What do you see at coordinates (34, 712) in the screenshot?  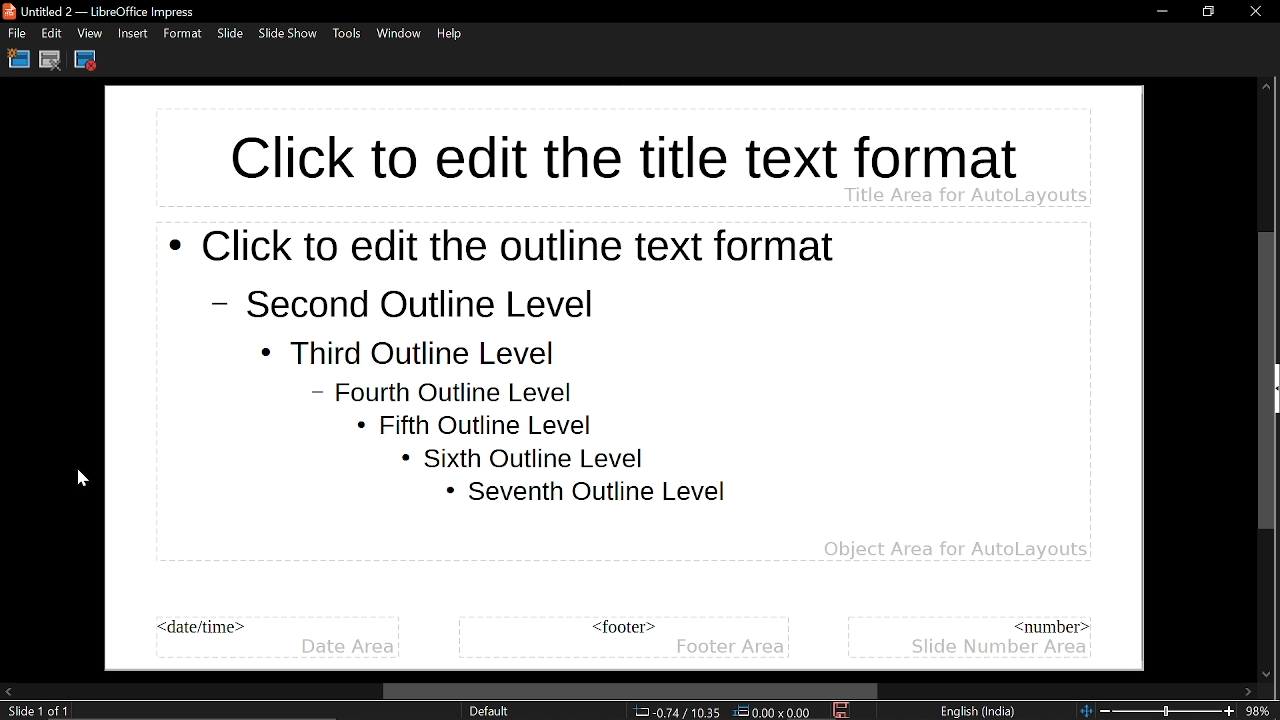 I see `Current slide` at bounding box center [34, 712].